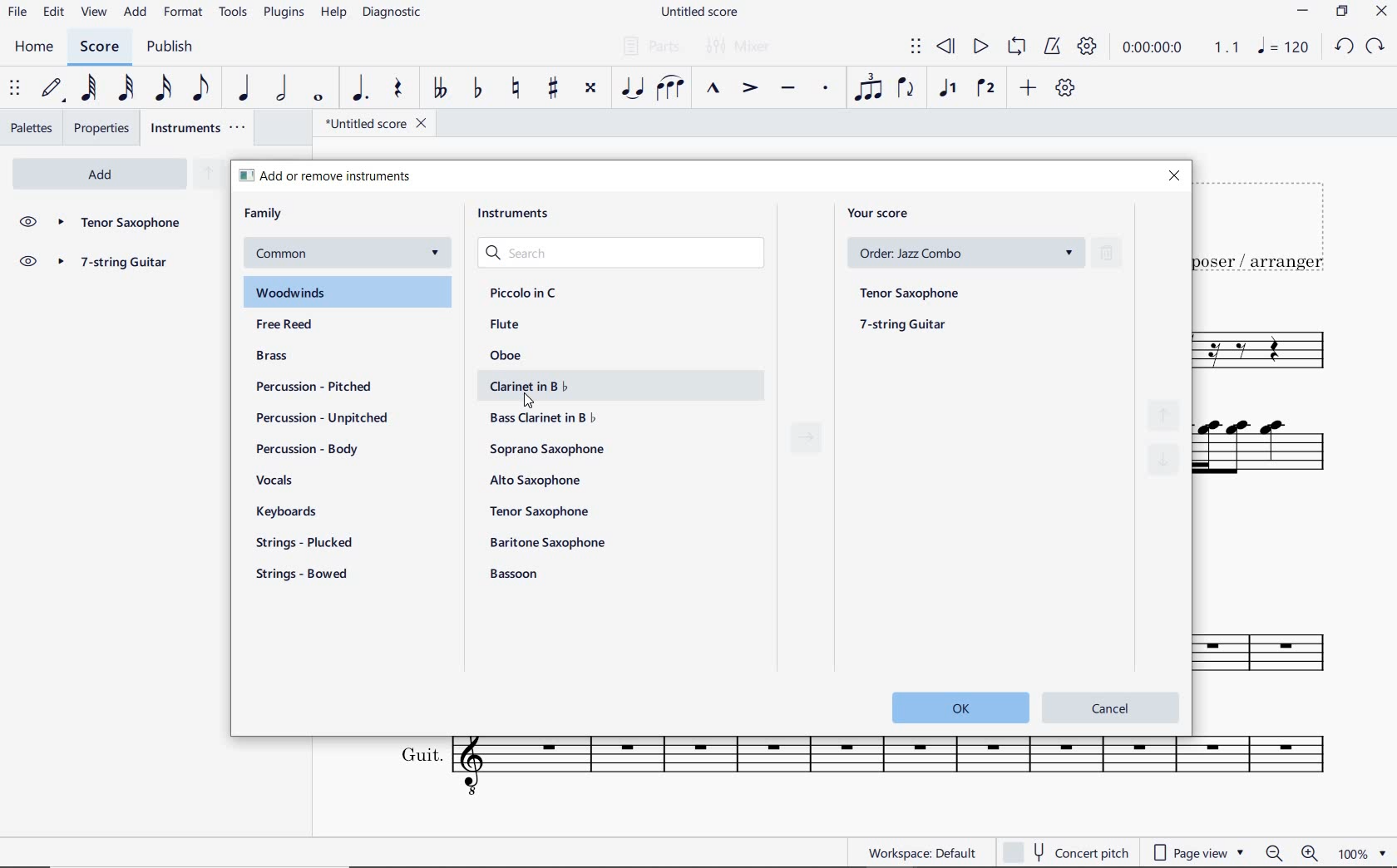 This screenshot has width=1397, height=868. What do you see at coordinates (671, 89) in the screenshot?
I see `SLUR` at bounding box center [671, 89].